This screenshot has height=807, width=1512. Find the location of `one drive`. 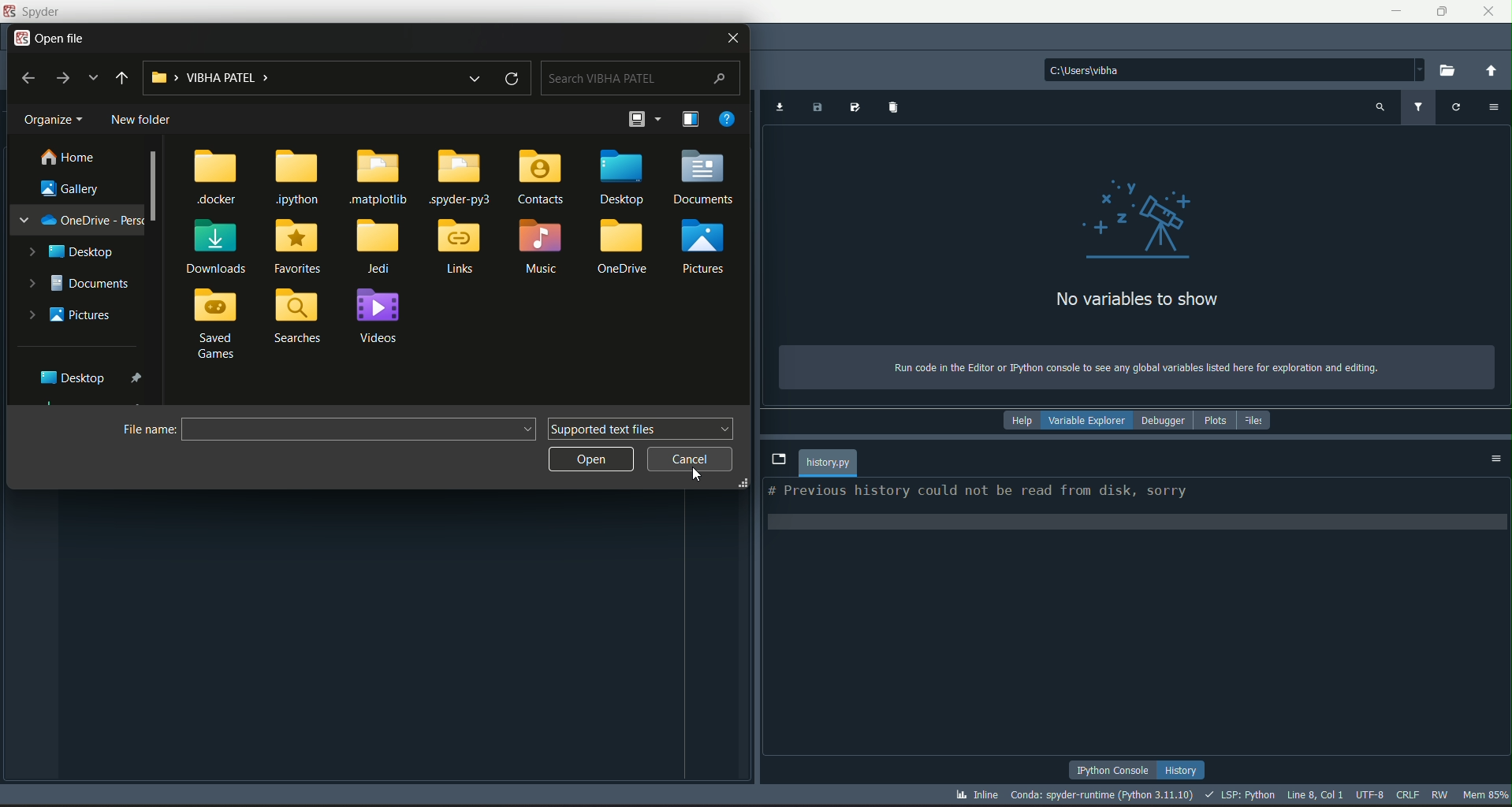

one drive is located at coordinates (82, 220).